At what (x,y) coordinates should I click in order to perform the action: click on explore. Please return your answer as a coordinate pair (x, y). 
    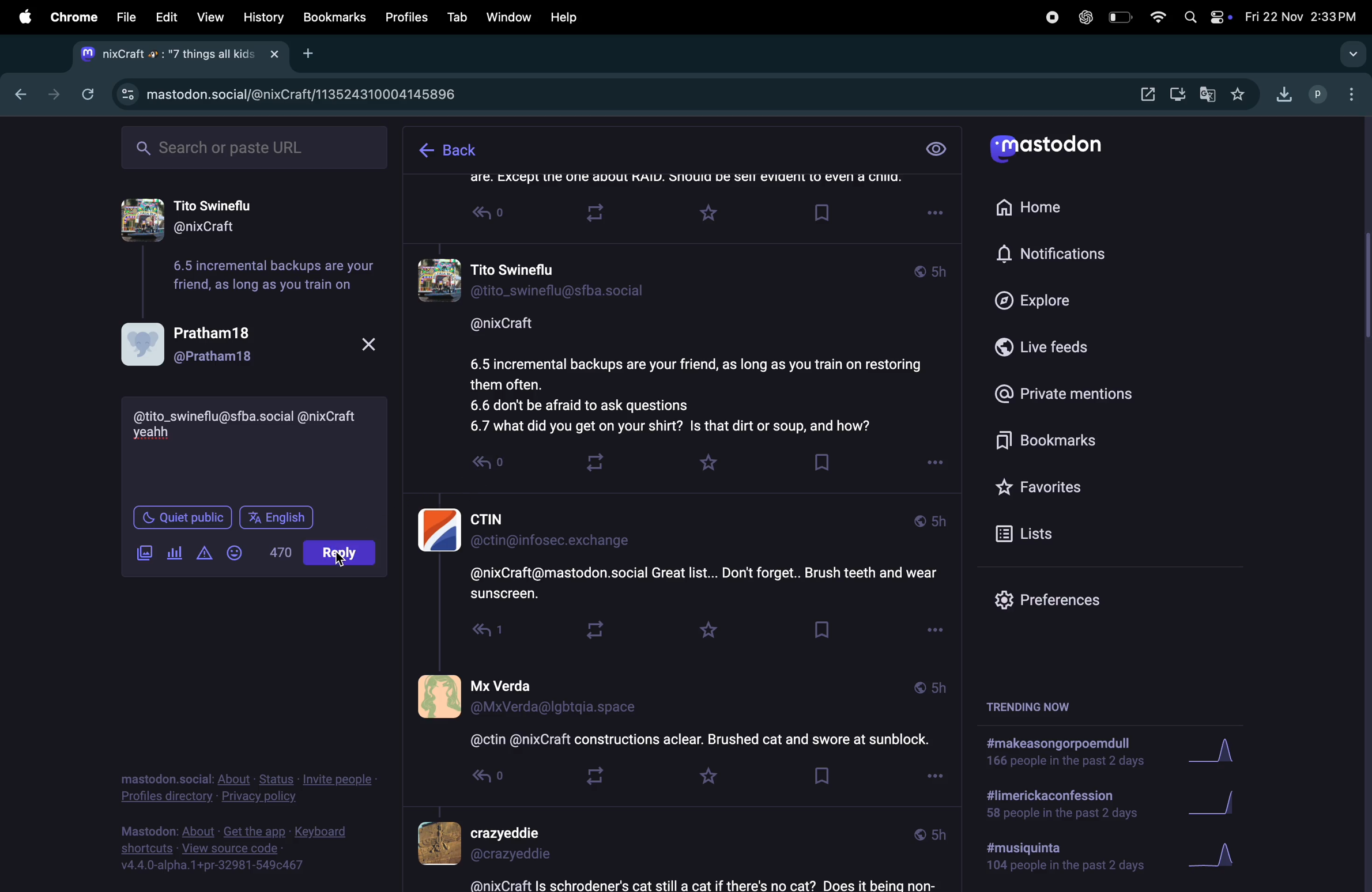
    Looking at the image, I should click on (1053, 299).